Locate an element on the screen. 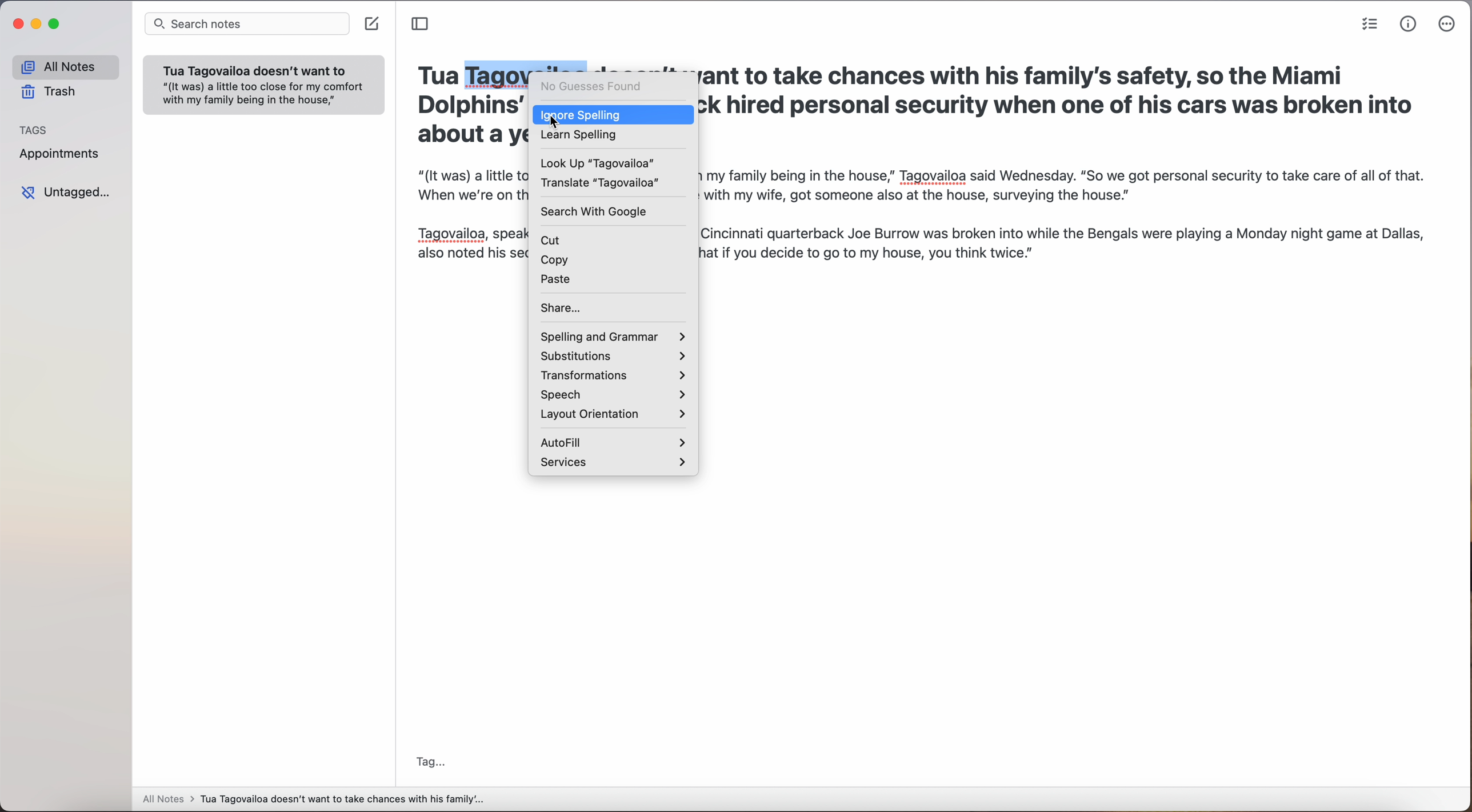  speech is located at coordinates (614, 394).